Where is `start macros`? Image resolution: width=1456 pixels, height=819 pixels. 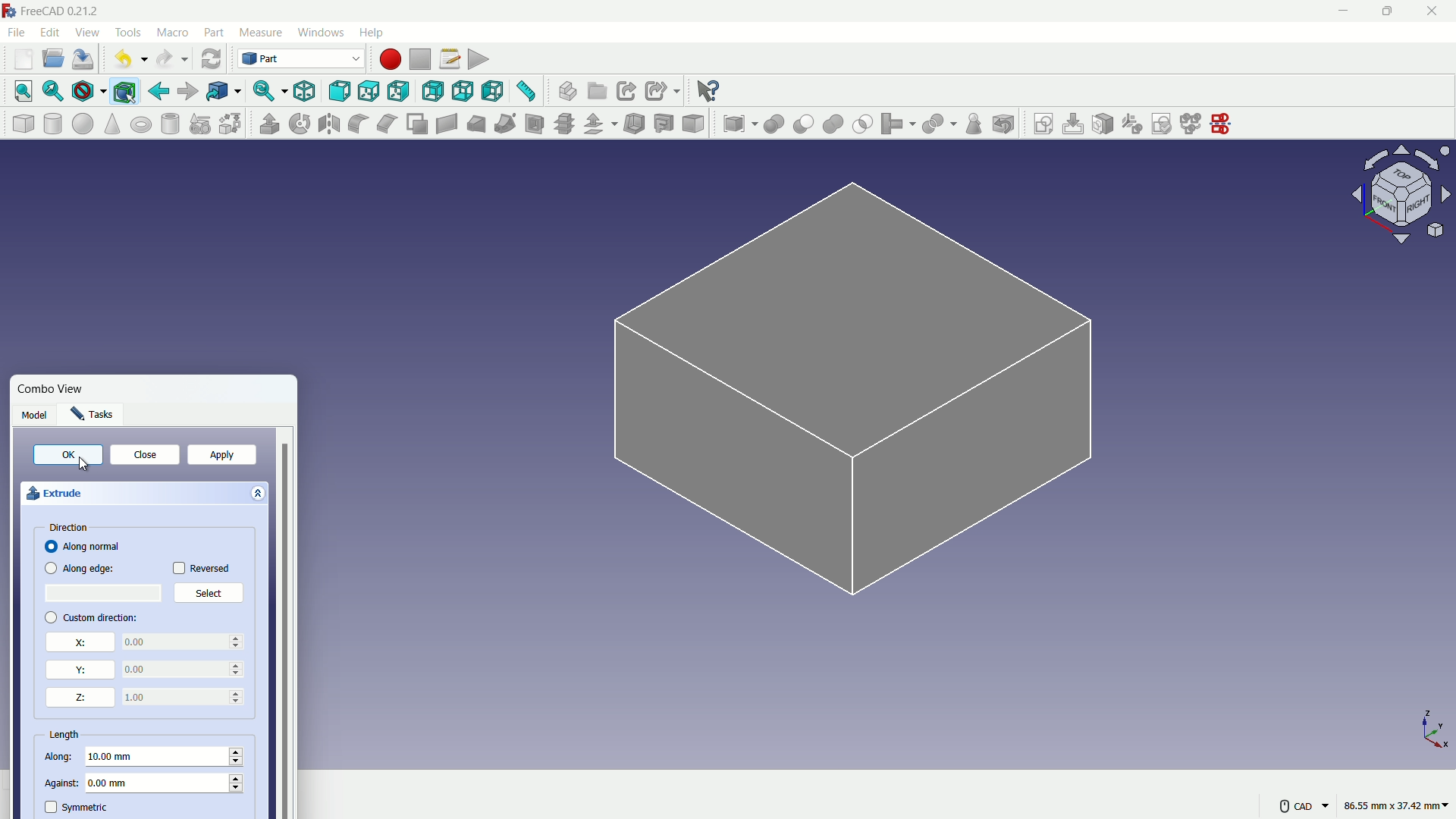
start macros is located at coordinates (391, 59).